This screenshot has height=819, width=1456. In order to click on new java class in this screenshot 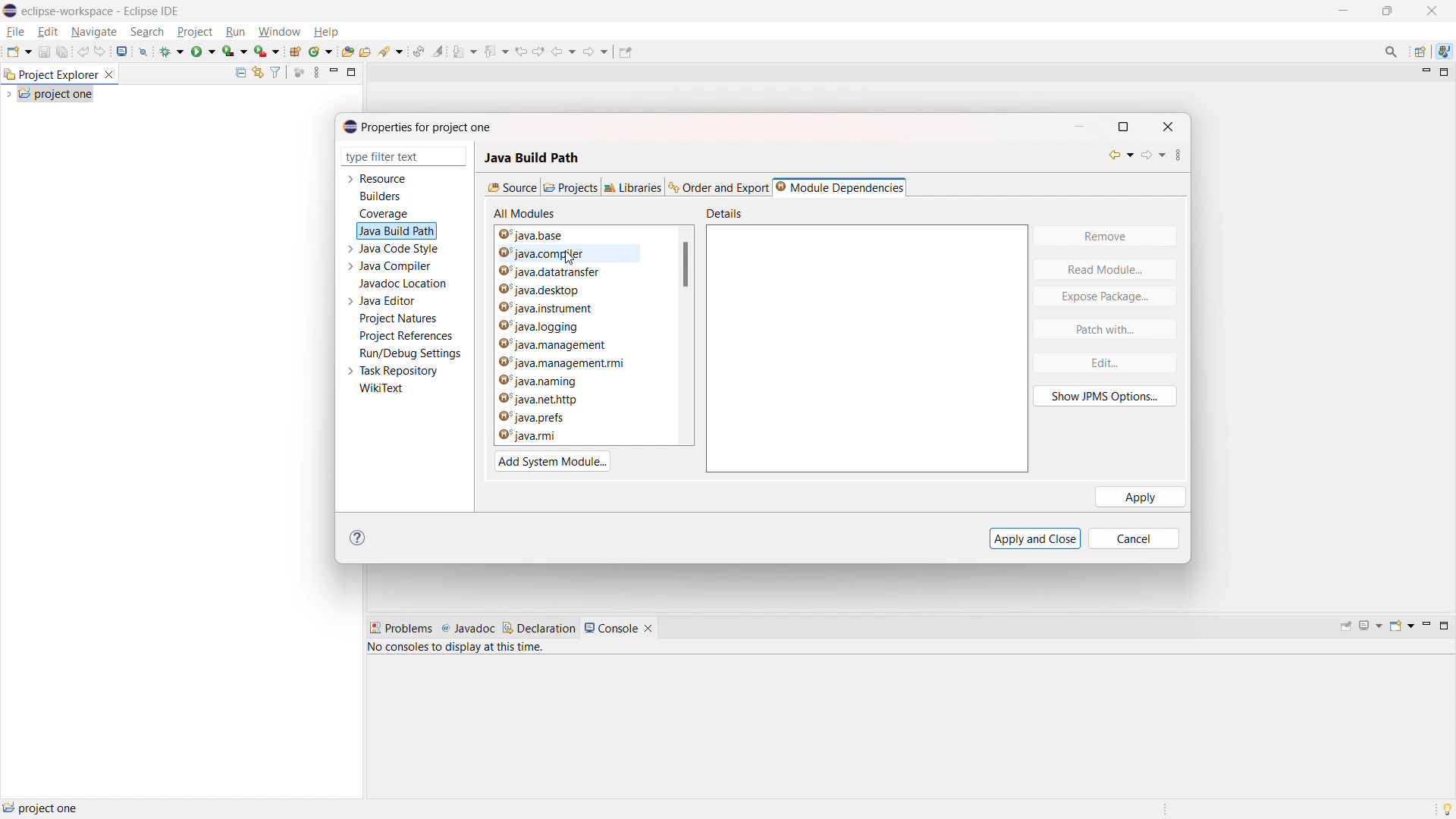, I will do `click(321, 52)`.